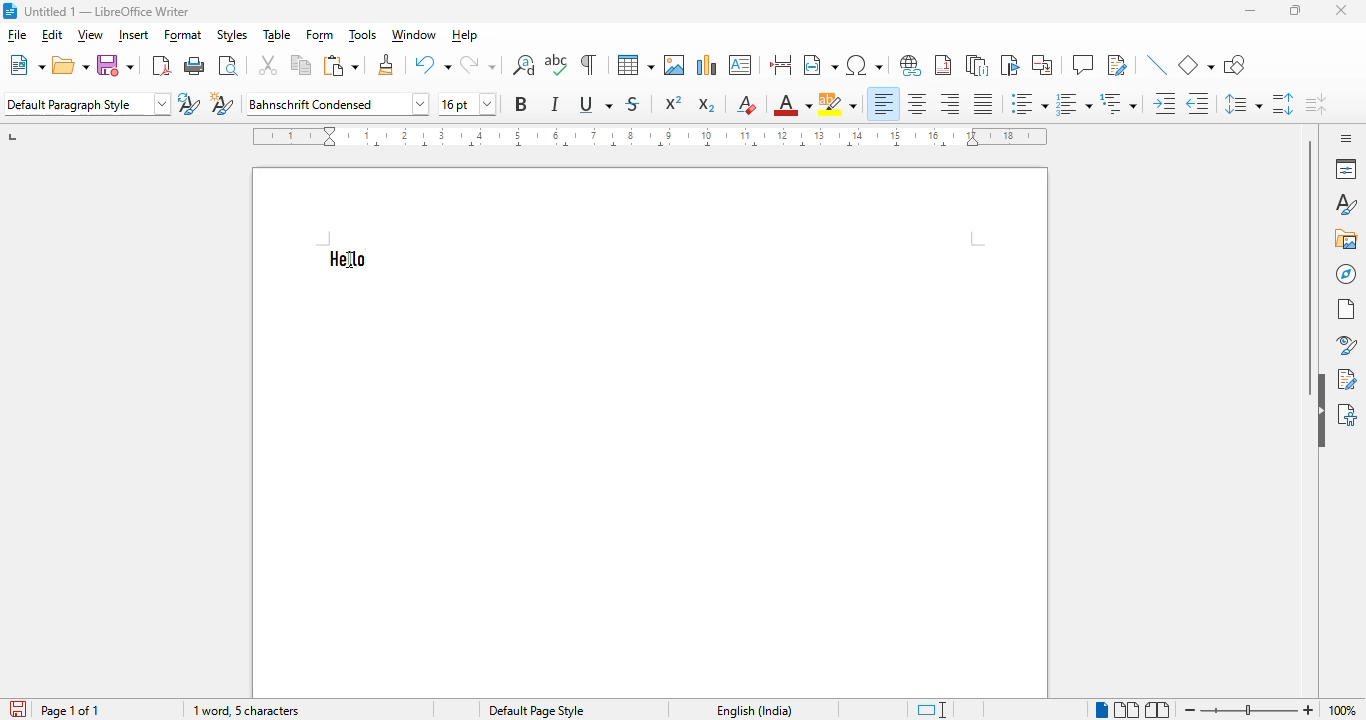  I want to click on show draw functions, so click(1233, 65).